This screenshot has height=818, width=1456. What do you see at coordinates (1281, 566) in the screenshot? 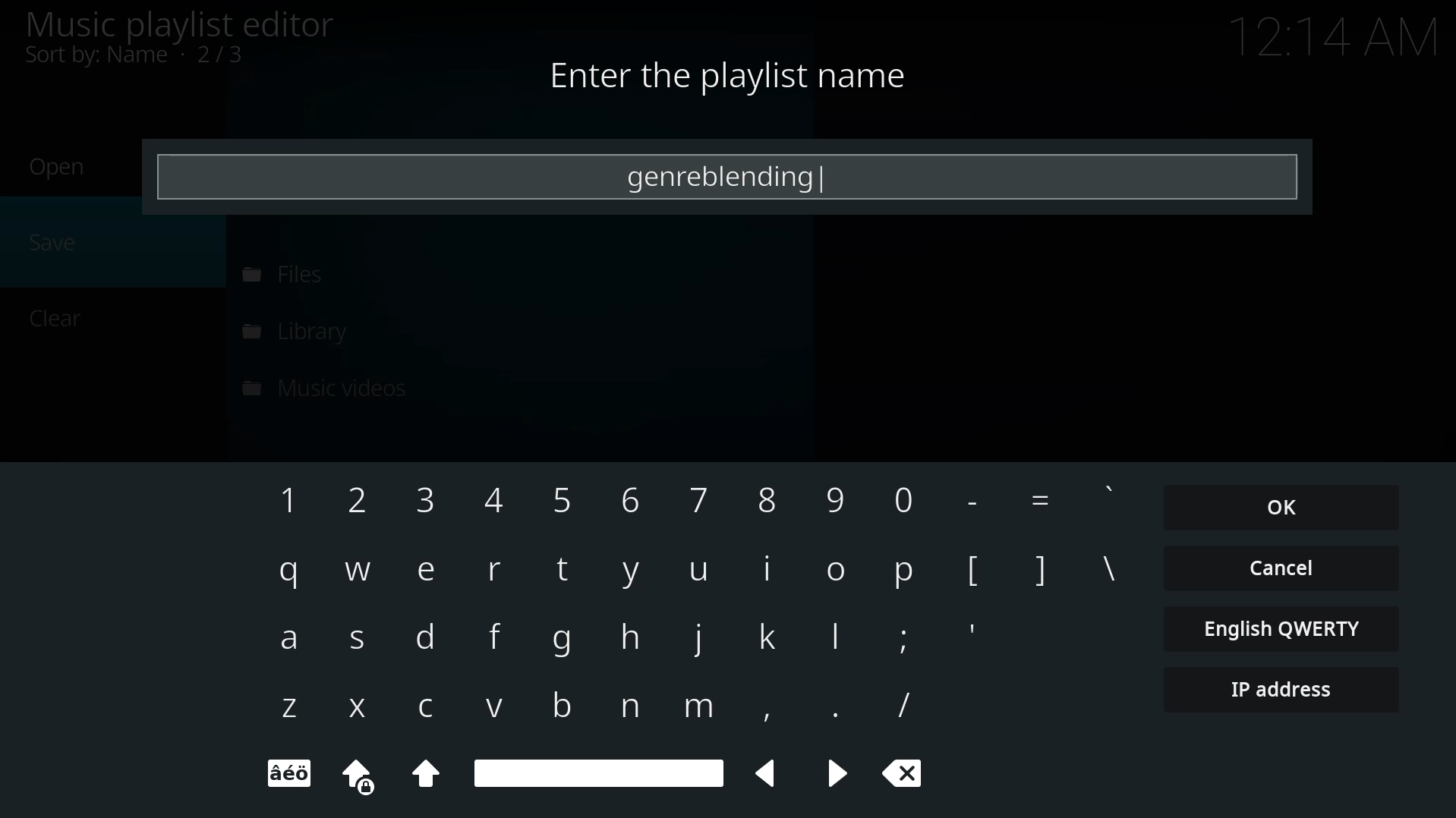
I see `cancel` at bounding box center [1281, 566].